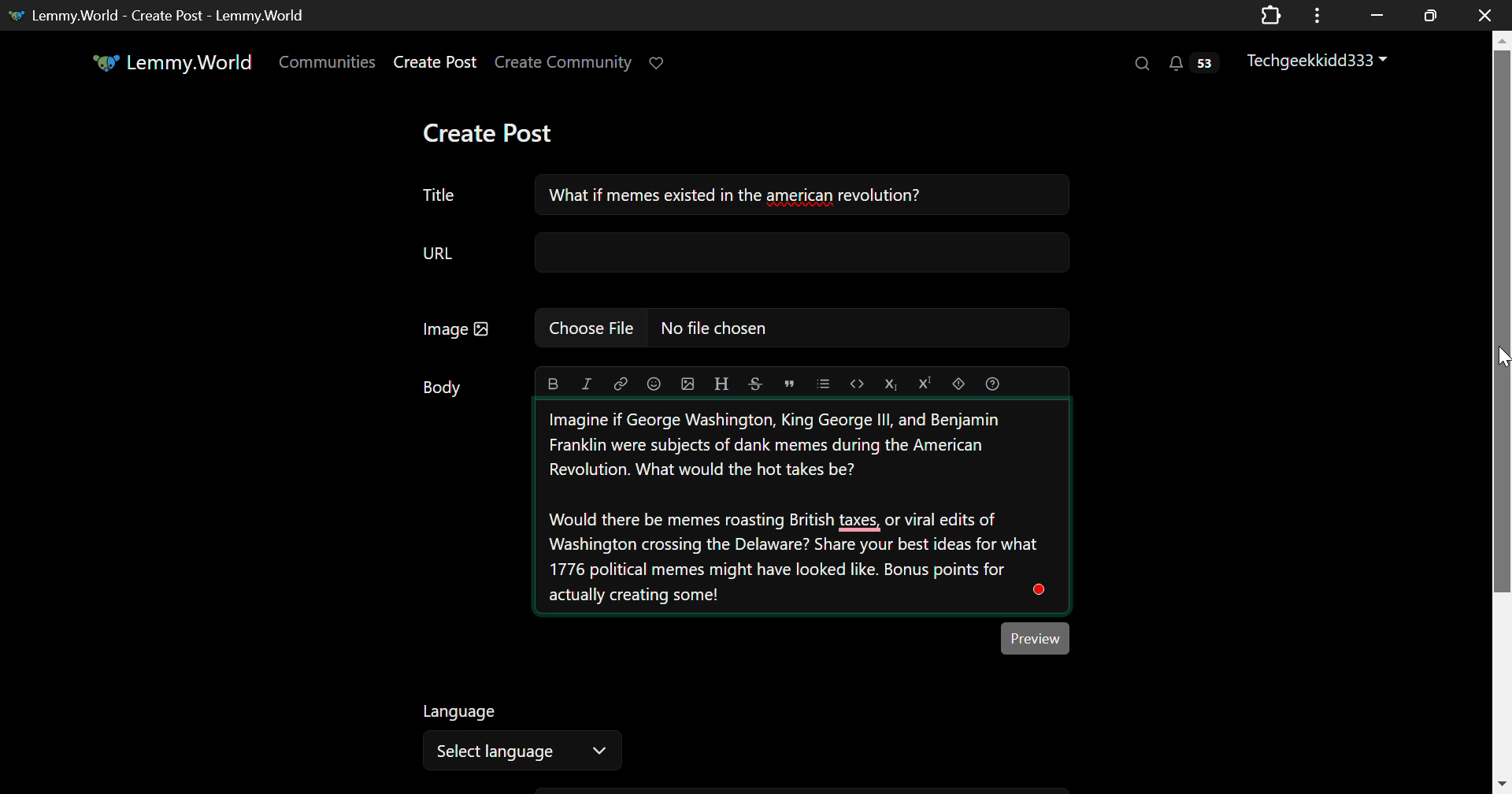 The image size is (1512, 794). What do you see at coordinates (857, 383) in the screenshot?
I see `Code` at bounding box center [857, 383].